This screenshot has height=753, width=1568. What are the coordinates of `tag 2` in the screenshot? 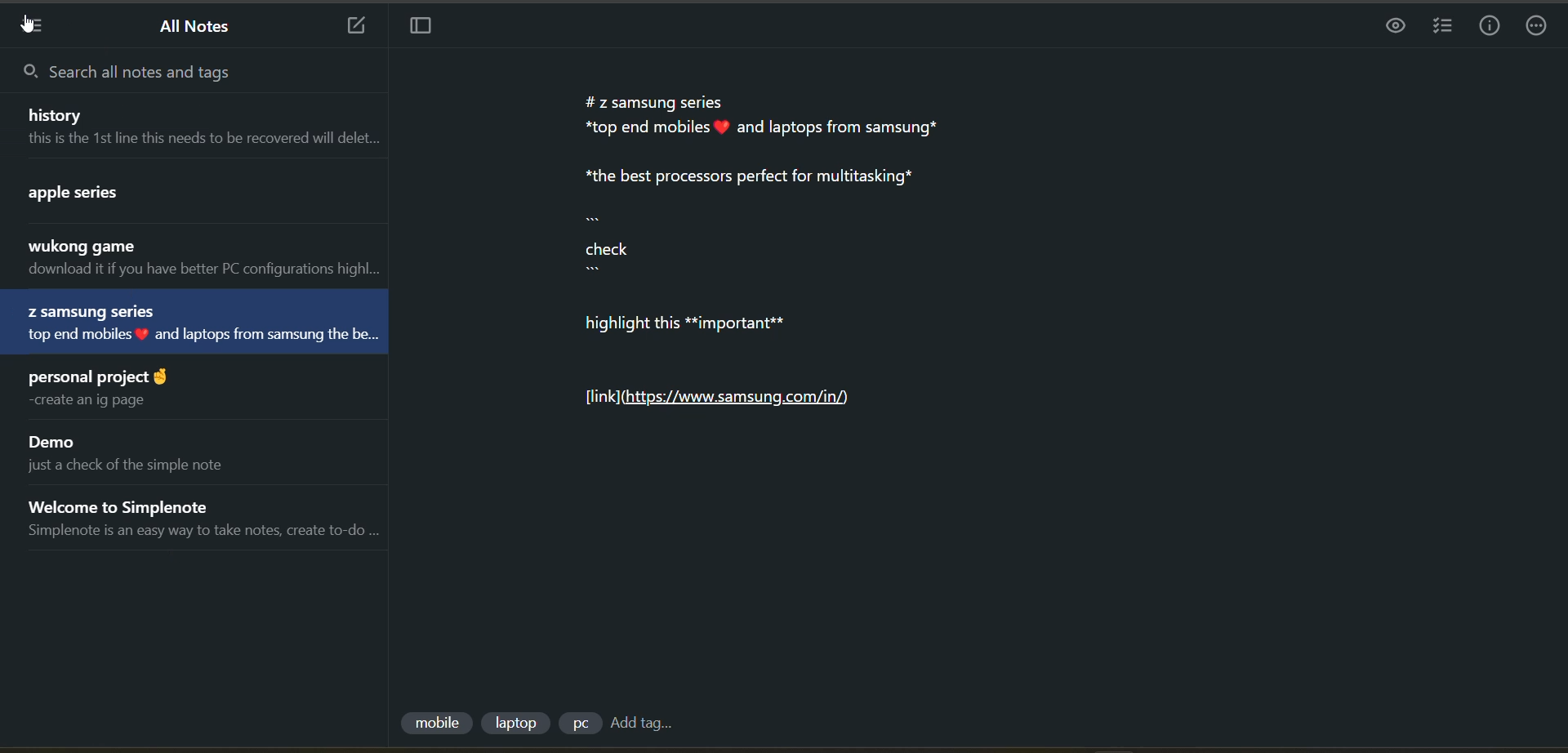 It's located at (517, 724).